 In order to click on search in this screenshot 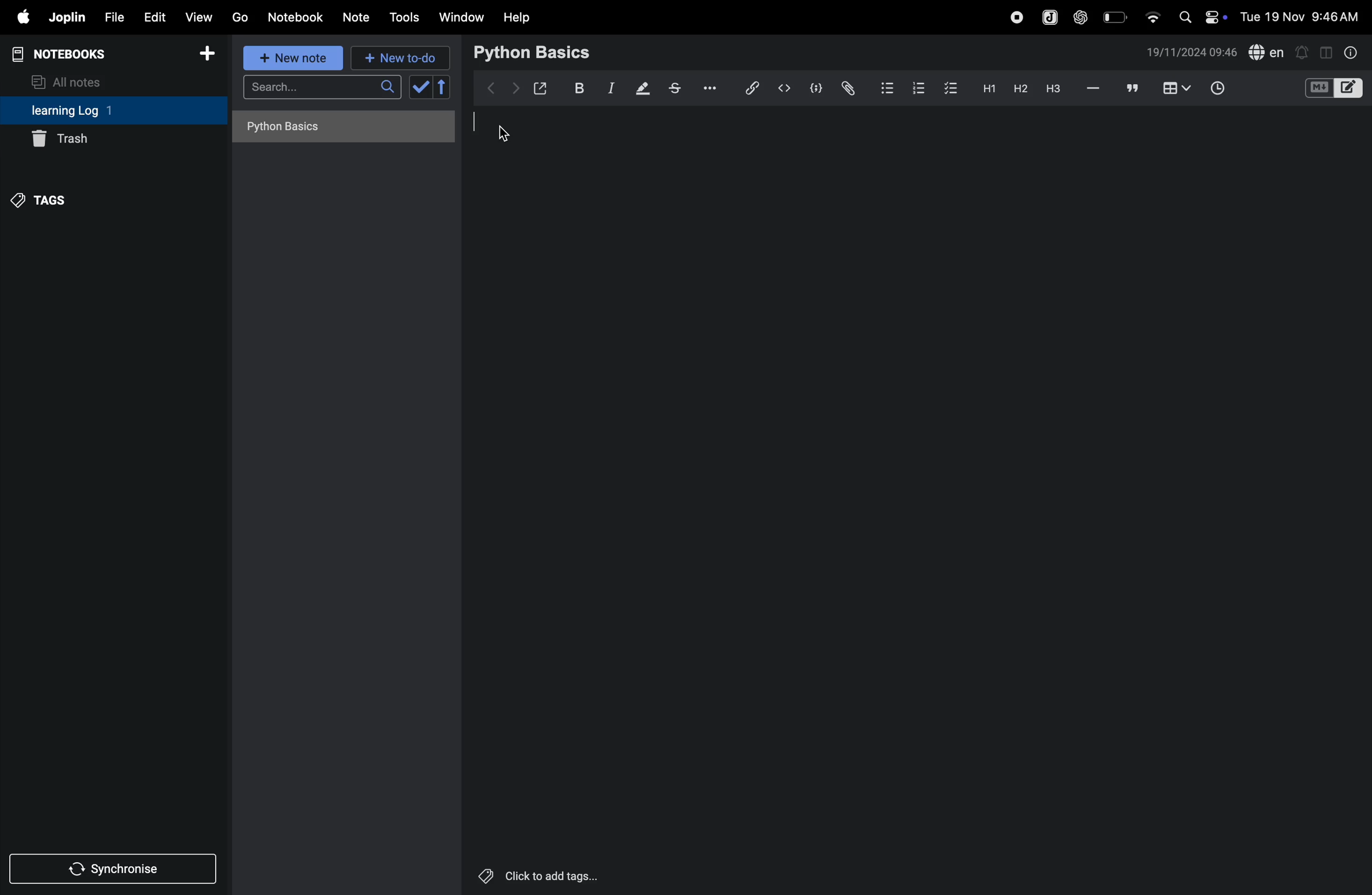, I will do `click(322, 91)`.